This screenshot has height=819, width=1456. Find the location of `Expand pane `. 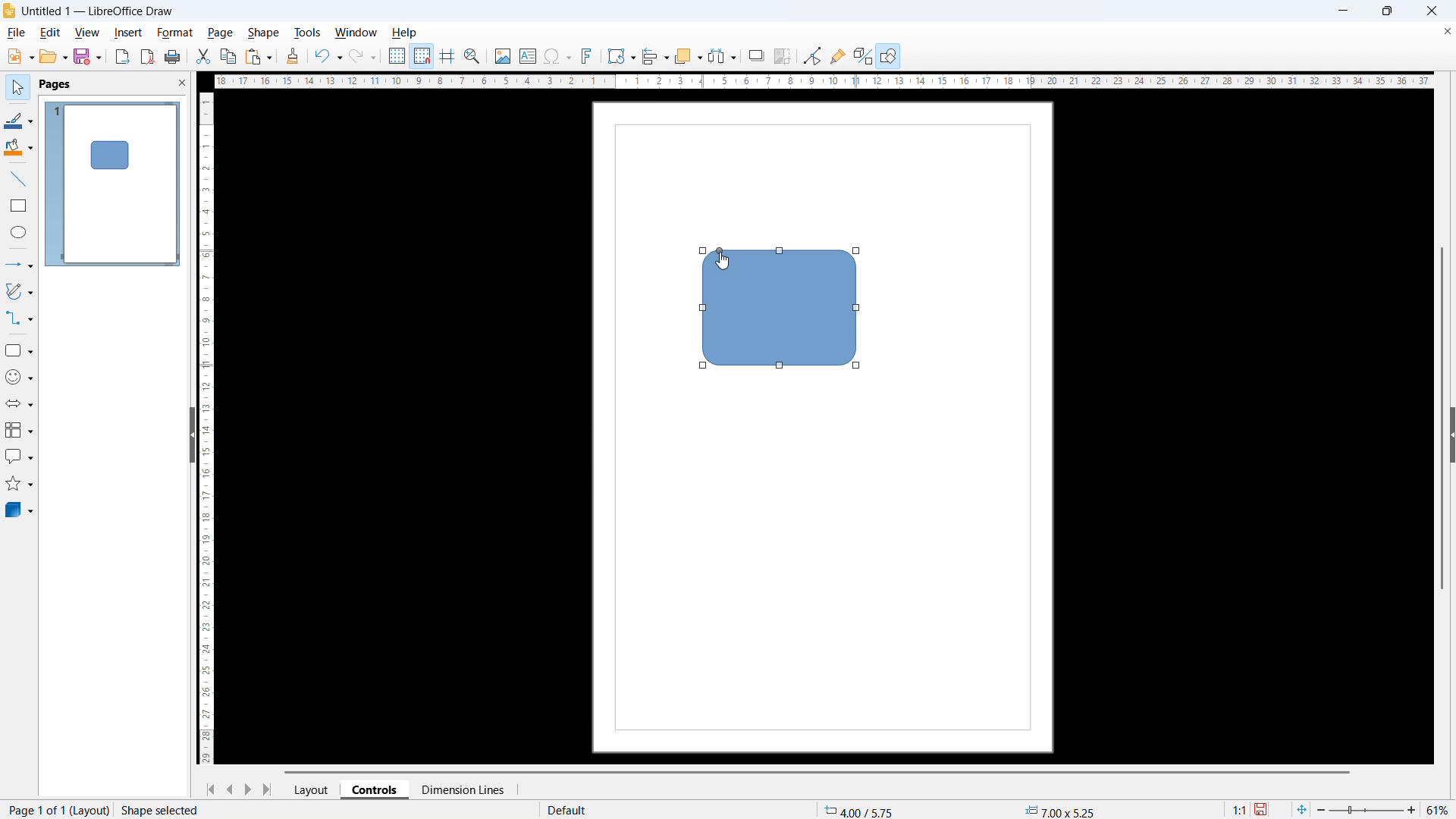

Expand pane  is located at coordinates (1453, 434).